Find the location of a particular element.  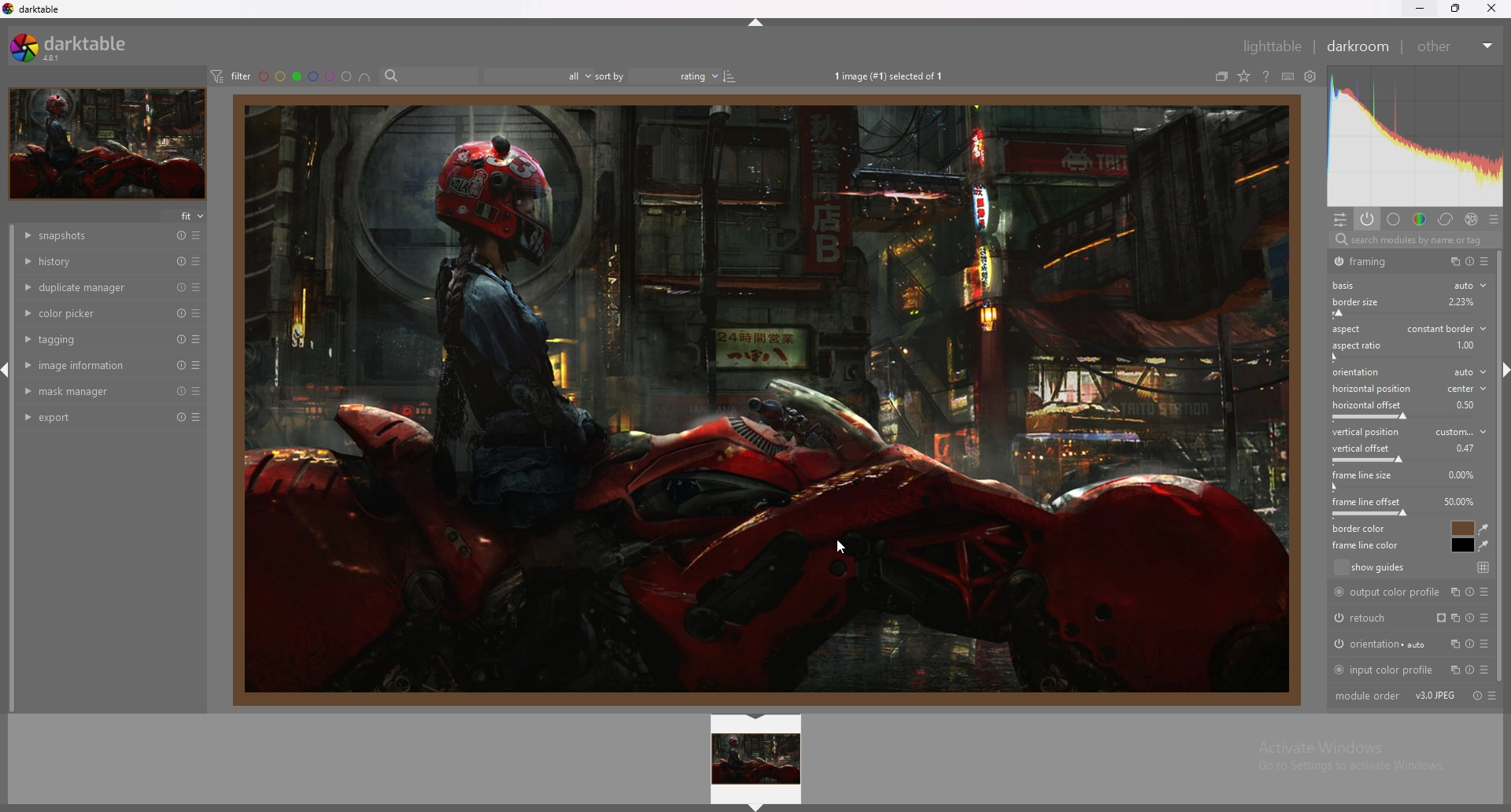

export is located at coordinates (93, 418).